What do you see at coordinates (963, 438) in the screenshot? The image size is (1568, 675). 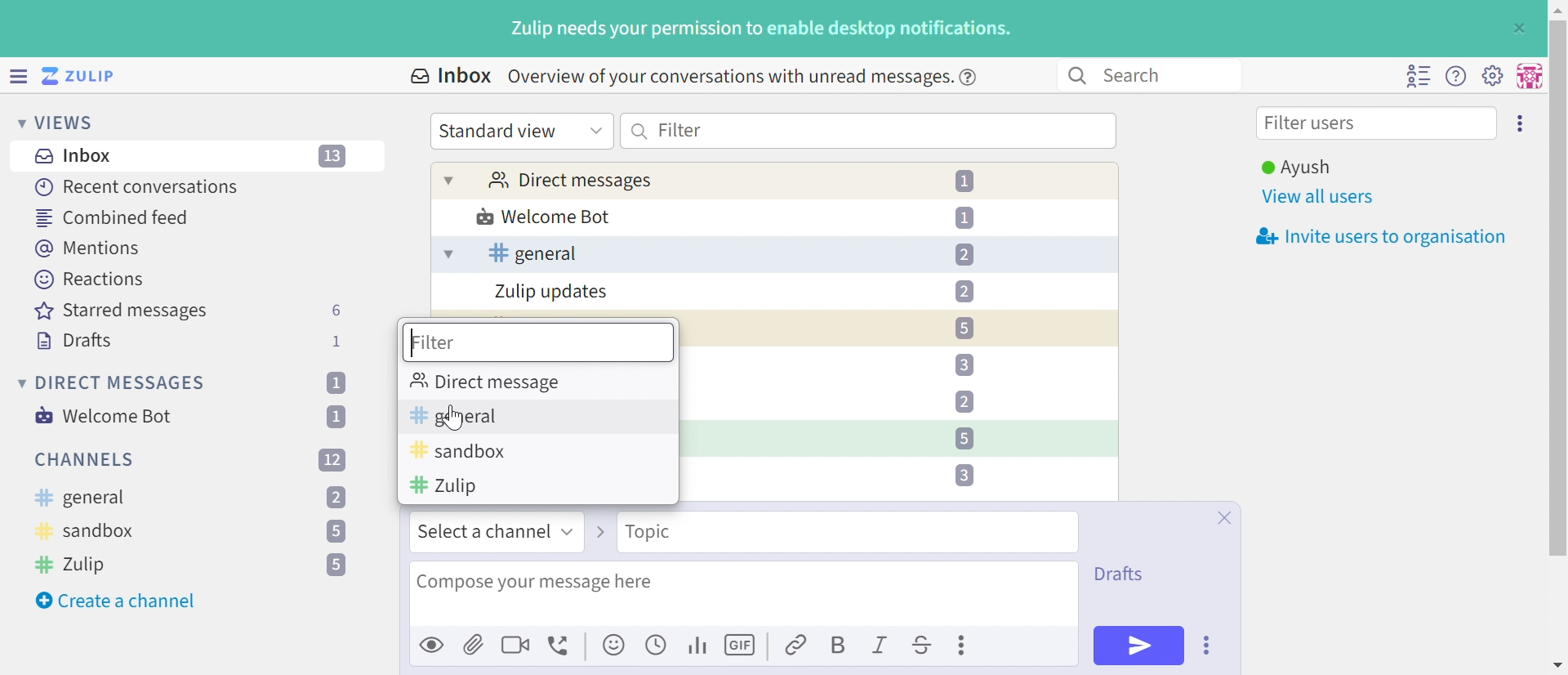 I see `5` at bounding box center [963, 438].